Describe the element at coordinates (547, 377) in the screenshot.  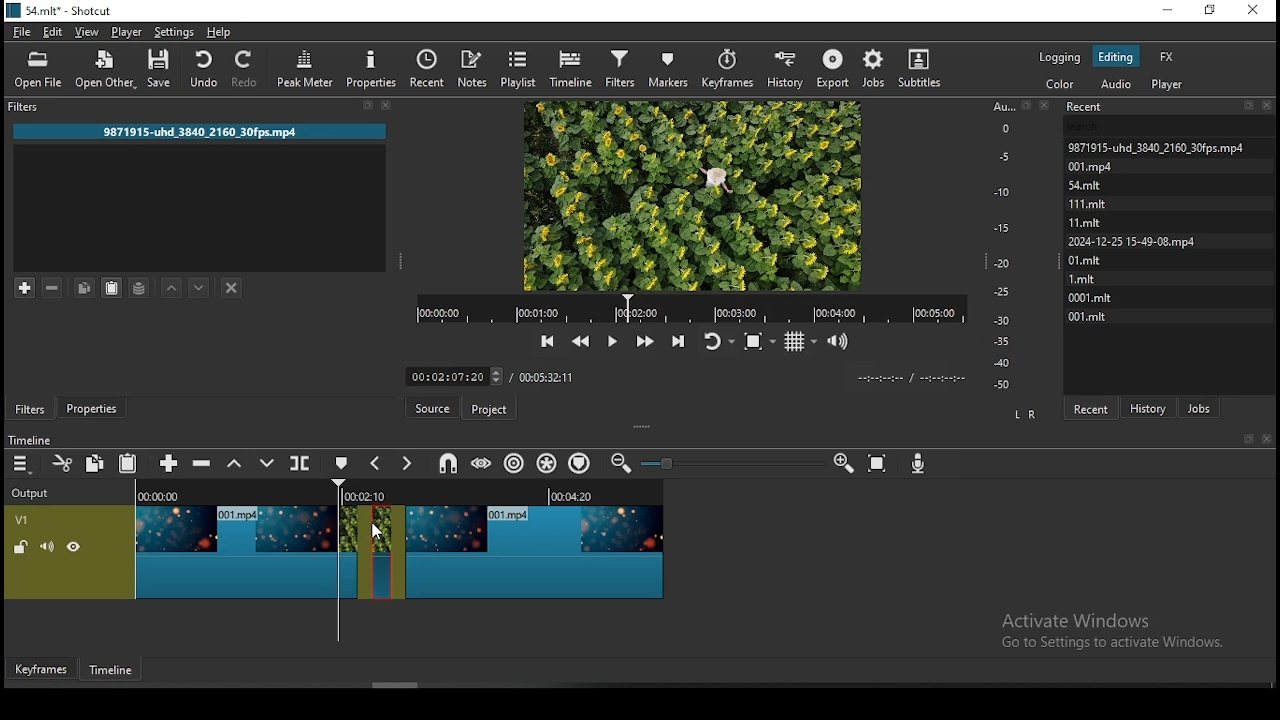
I see `total time` at that location.